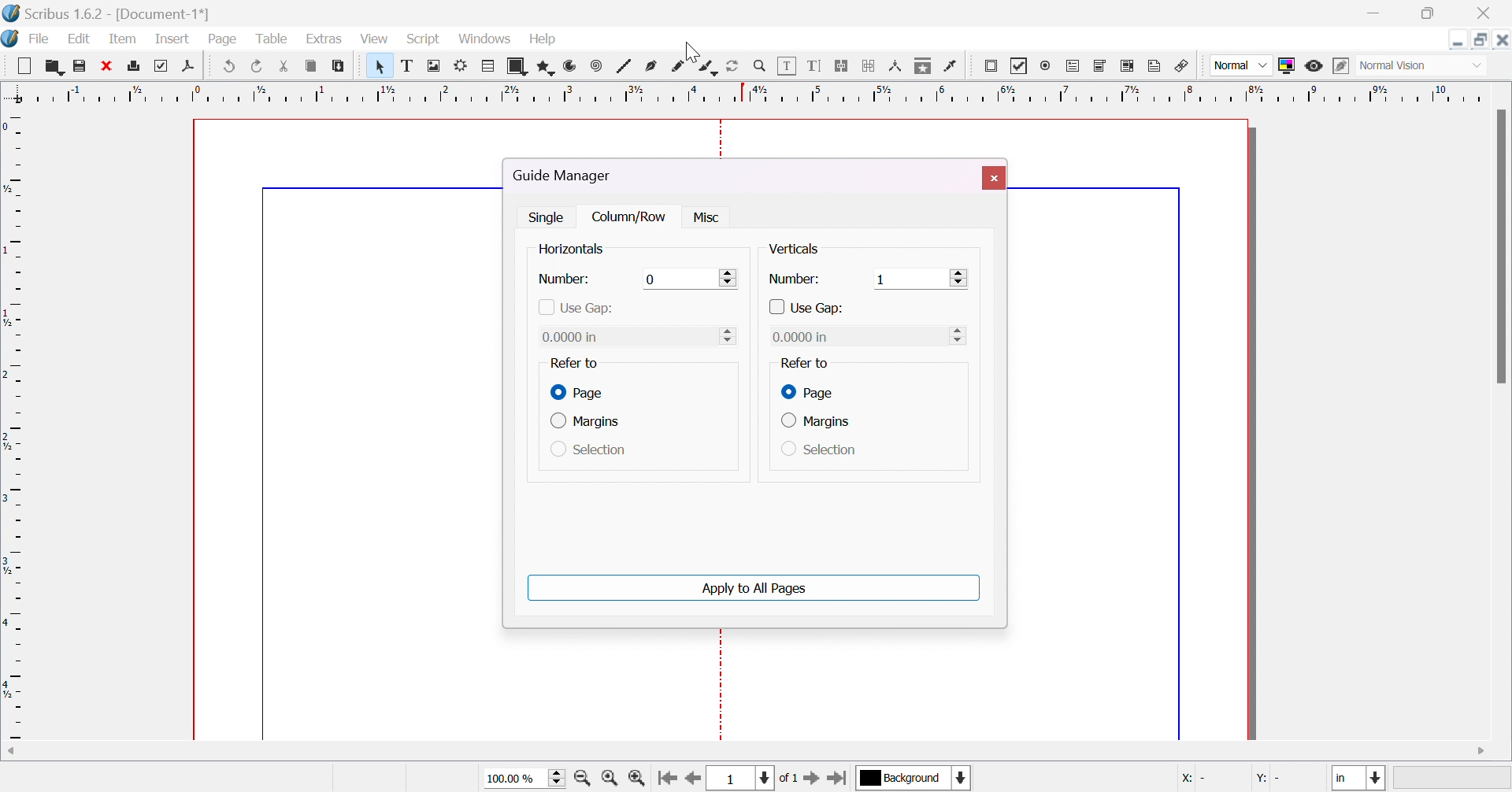 The image size is (1512, 792). I want to click on page, so click(806, 391).